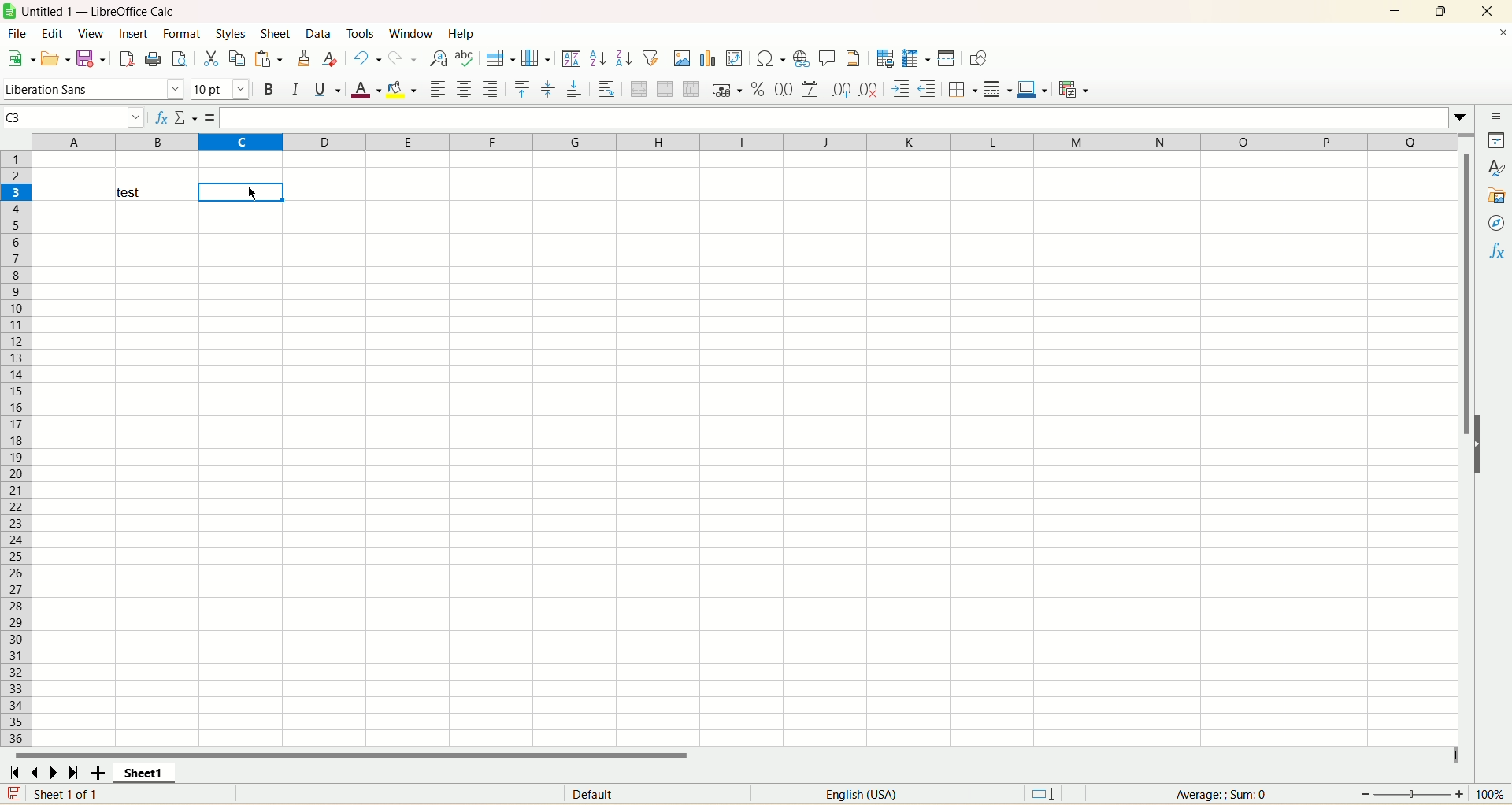 The height and width of the screenshot is (805, 1512). What do you see at coordinates (1440, 11) in the screenshot?
I see `maximize` at bounding box center [1440, 11].